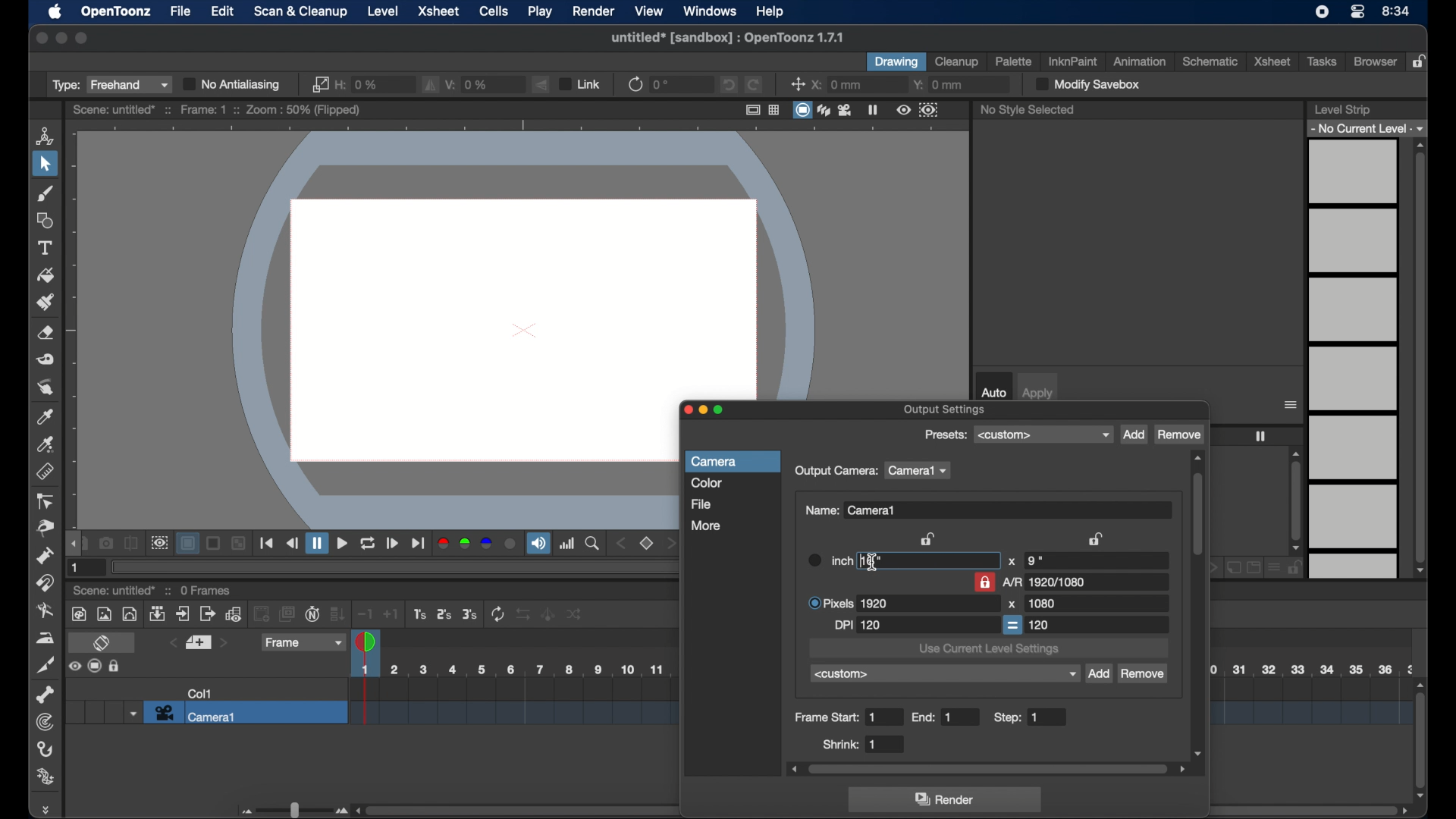 This screenshot has height=819, width=1456. Describe the element at coordinates (538, 544) in the screenshot. I see `soundtrack` at that location.